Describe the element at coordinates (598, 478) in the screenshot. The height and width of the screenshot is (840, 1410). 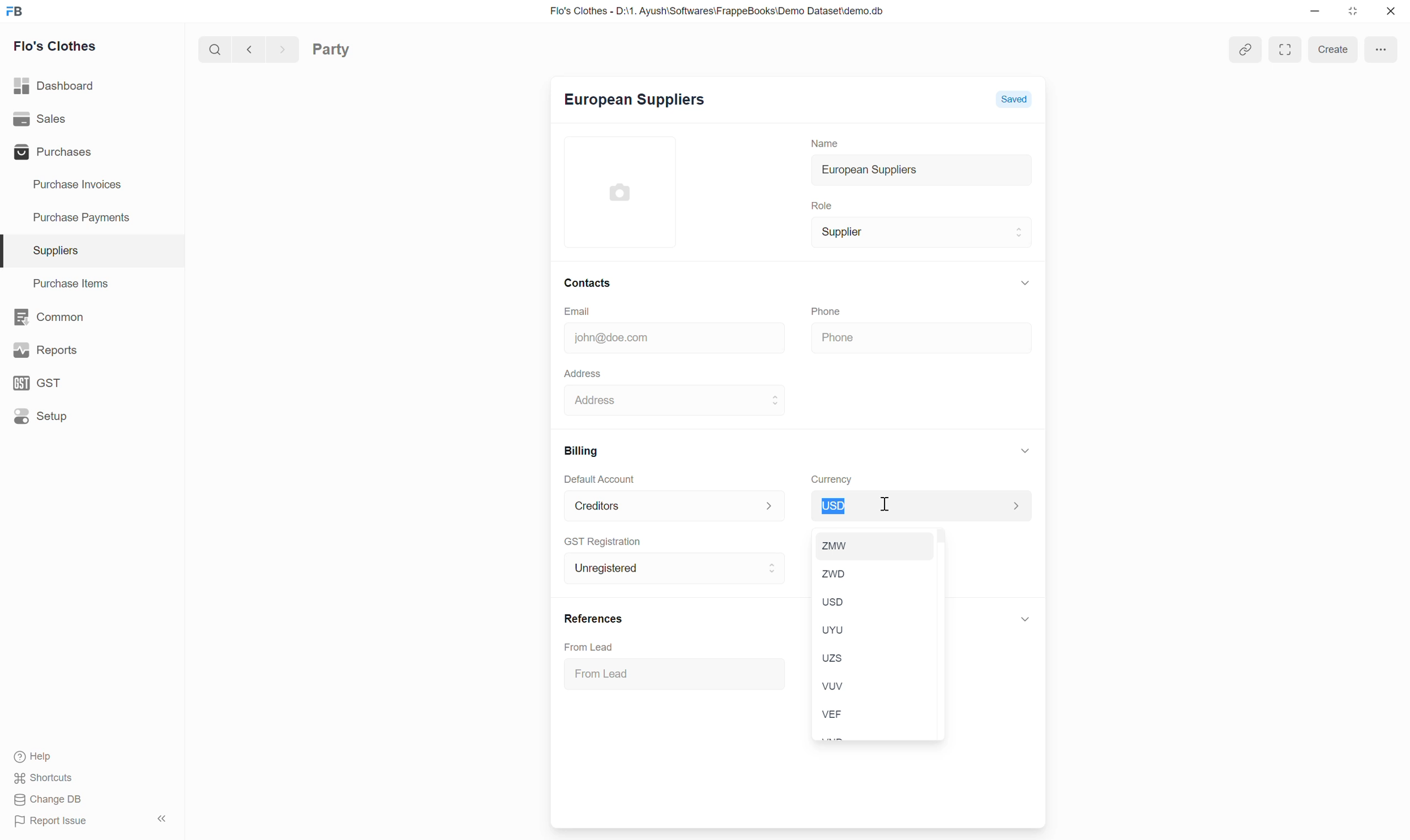
I see `Default Account` at that location.